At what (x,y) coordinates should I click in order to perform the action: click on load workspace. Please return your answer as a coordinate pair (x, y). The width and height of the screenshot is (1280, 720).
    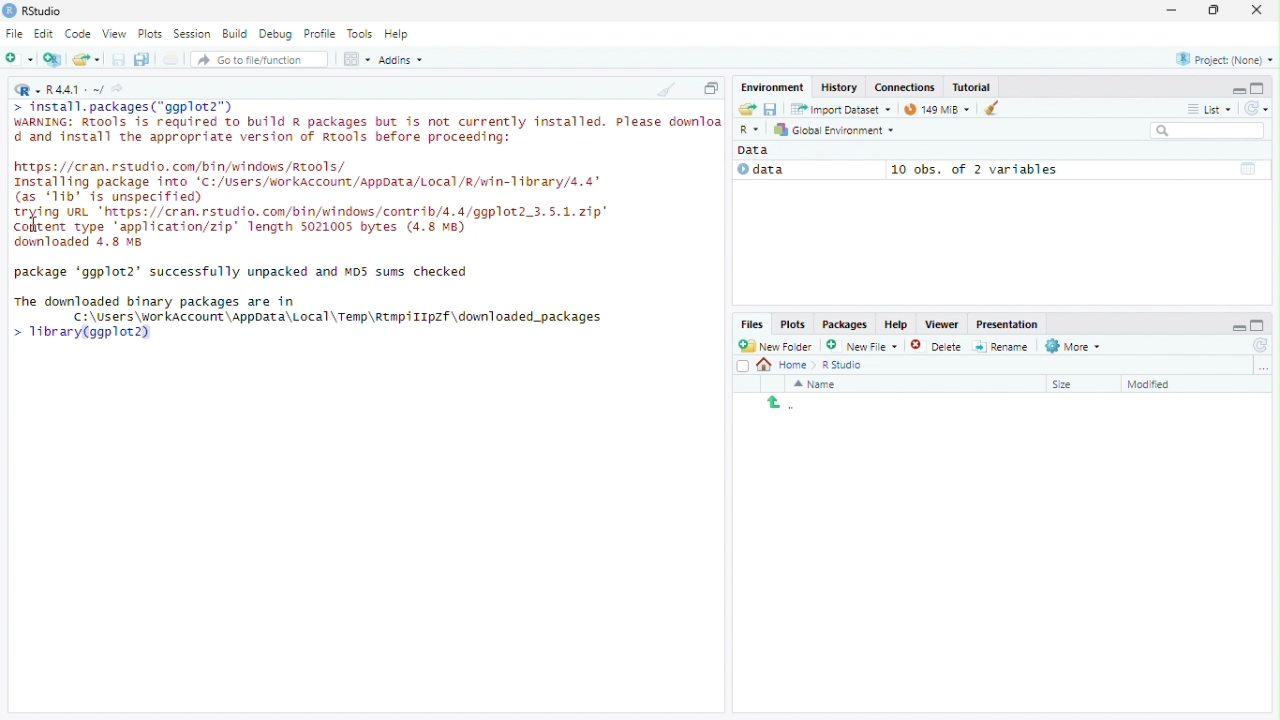
    Looking at the image, I should click on (746, 110).